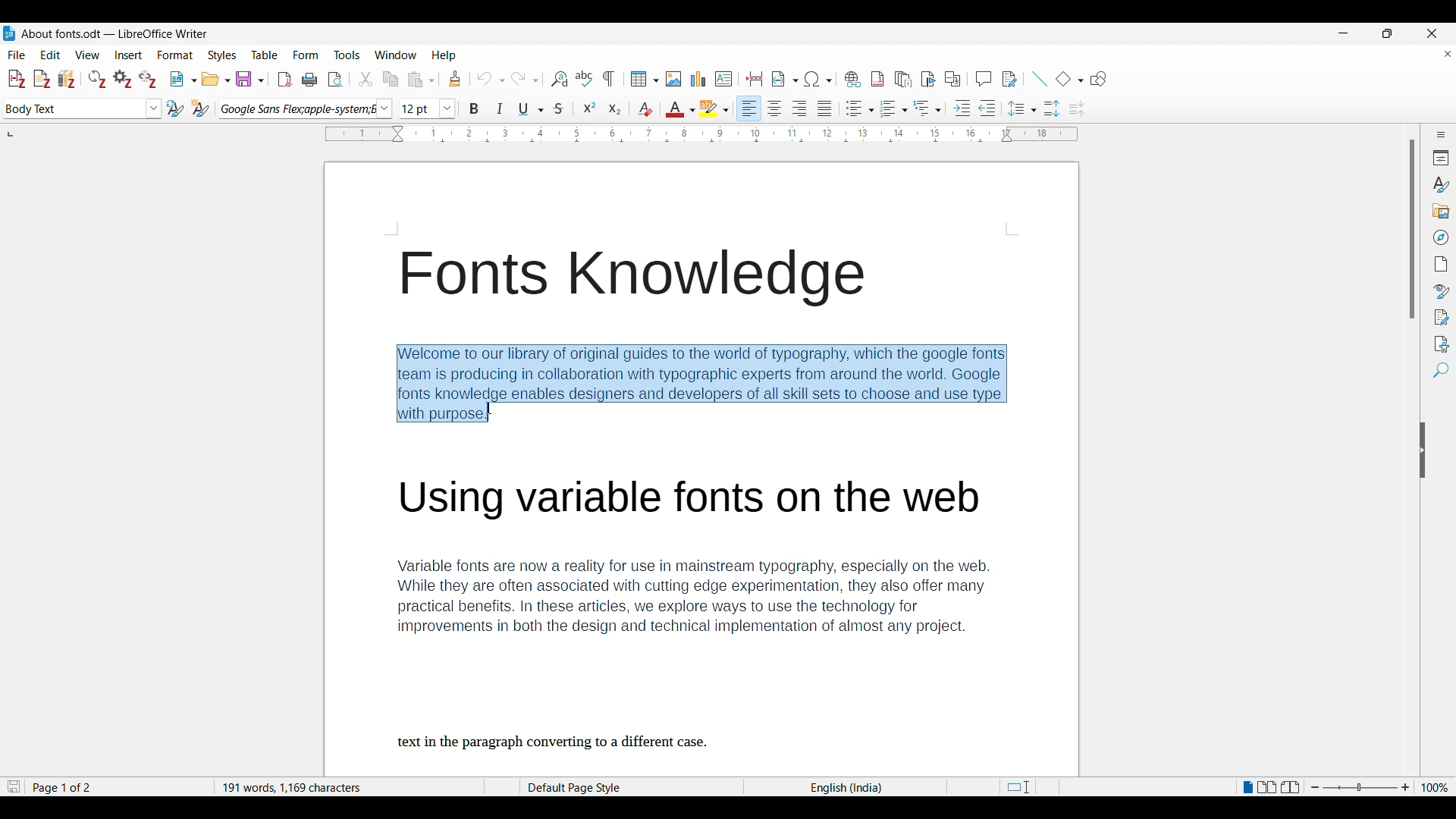  I want to click on Fonts Knowledge, so click(631, 277).